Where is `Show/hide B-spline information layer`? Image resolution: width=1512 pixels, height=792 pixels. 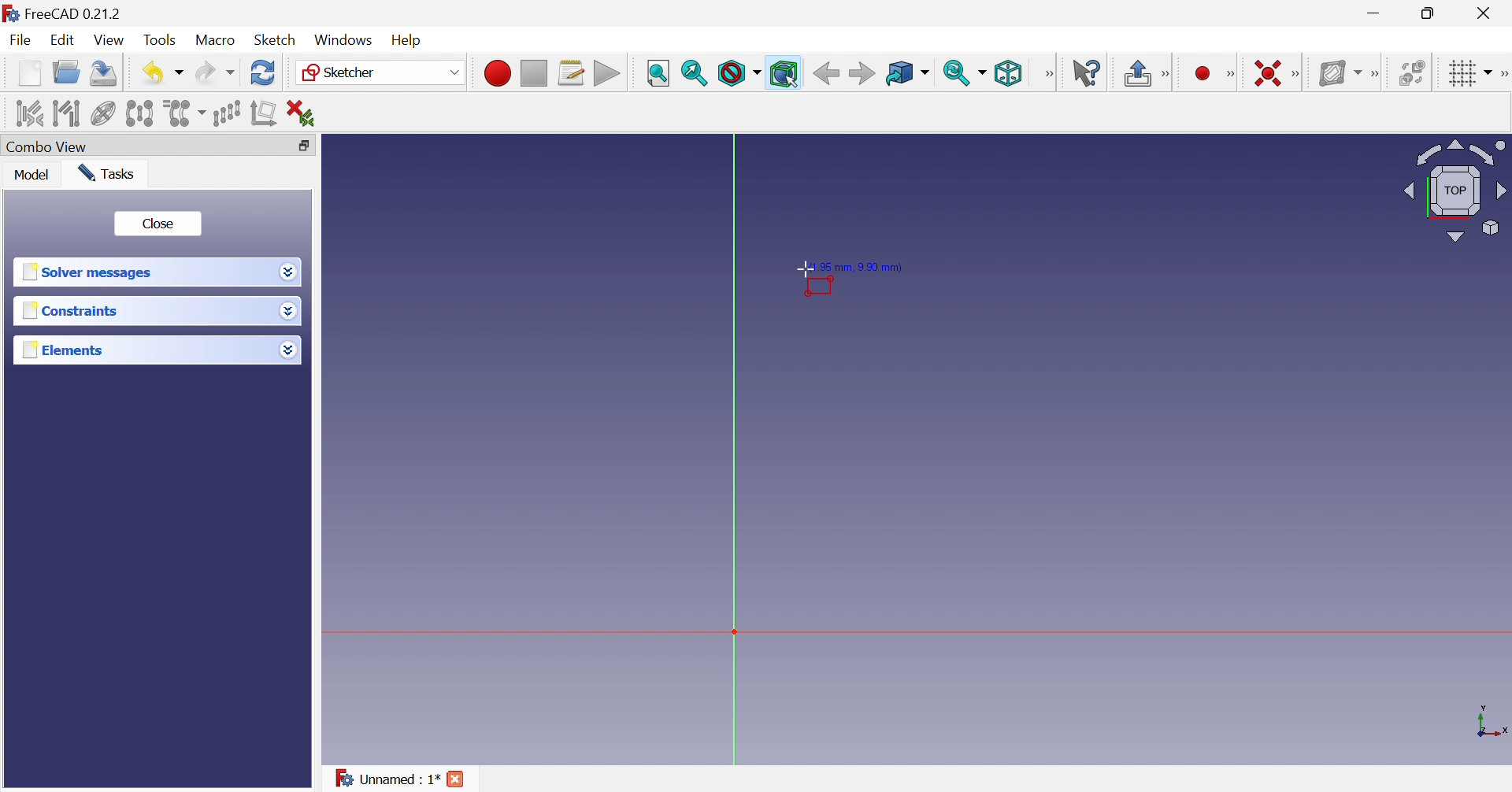
Show/hide B-spline information layer is located at coordinates (1339, 73).